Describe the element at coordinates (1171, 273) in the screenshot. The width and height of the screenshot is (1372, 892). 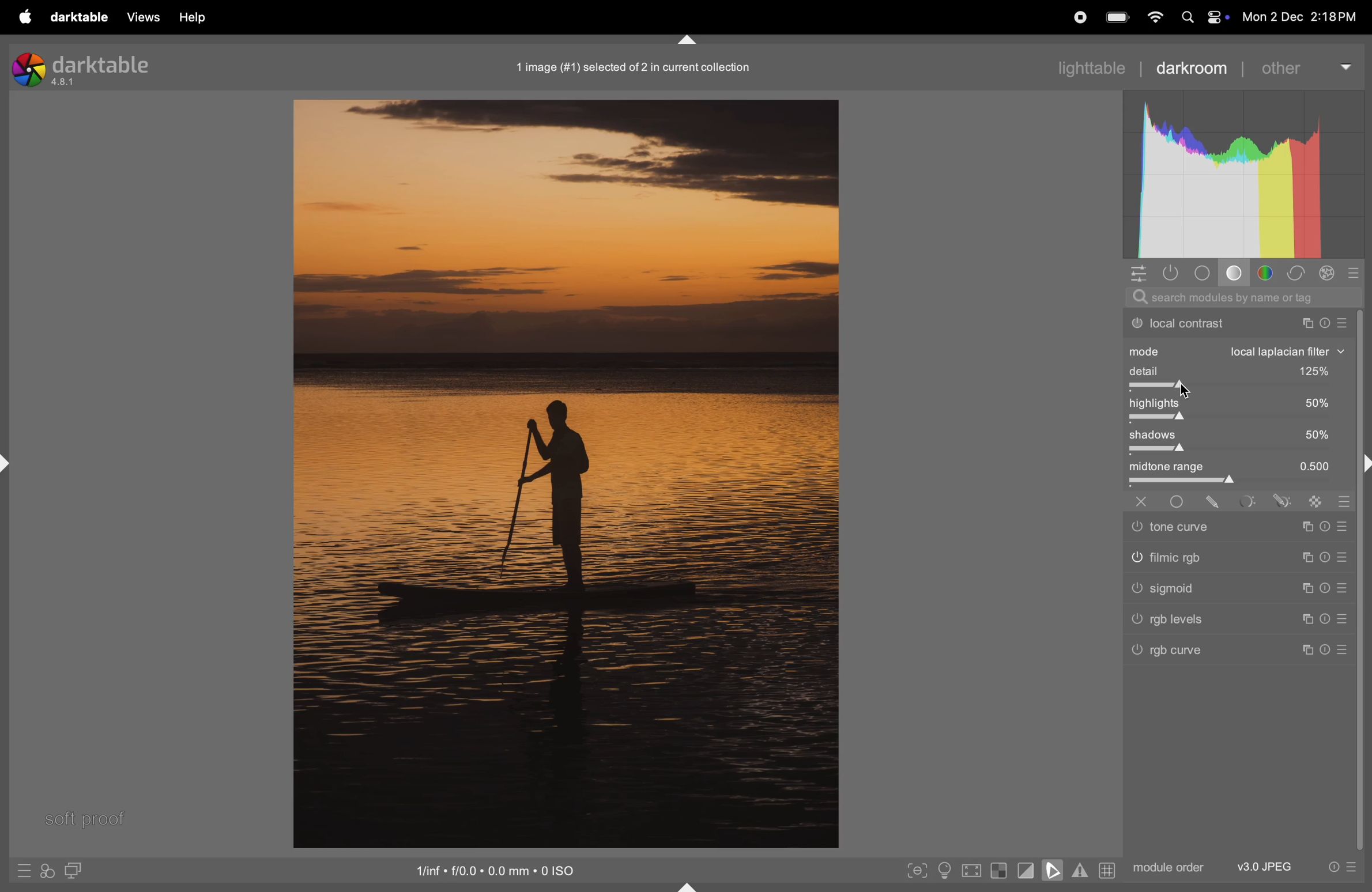
I see `show only active modules` at that location.